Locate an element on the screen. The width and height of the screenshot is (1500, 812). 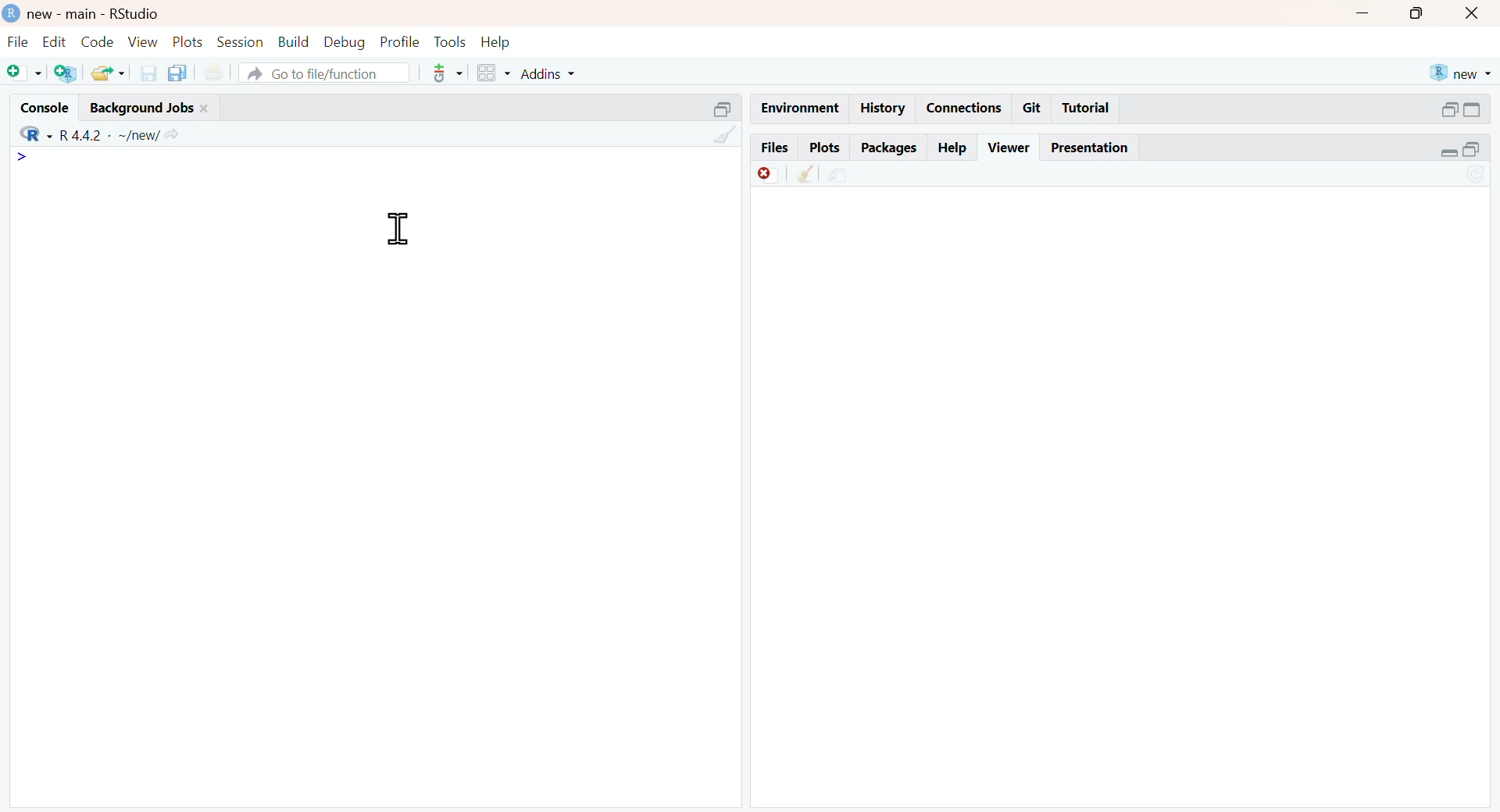
Create new project is located at coordinates (63, 73).